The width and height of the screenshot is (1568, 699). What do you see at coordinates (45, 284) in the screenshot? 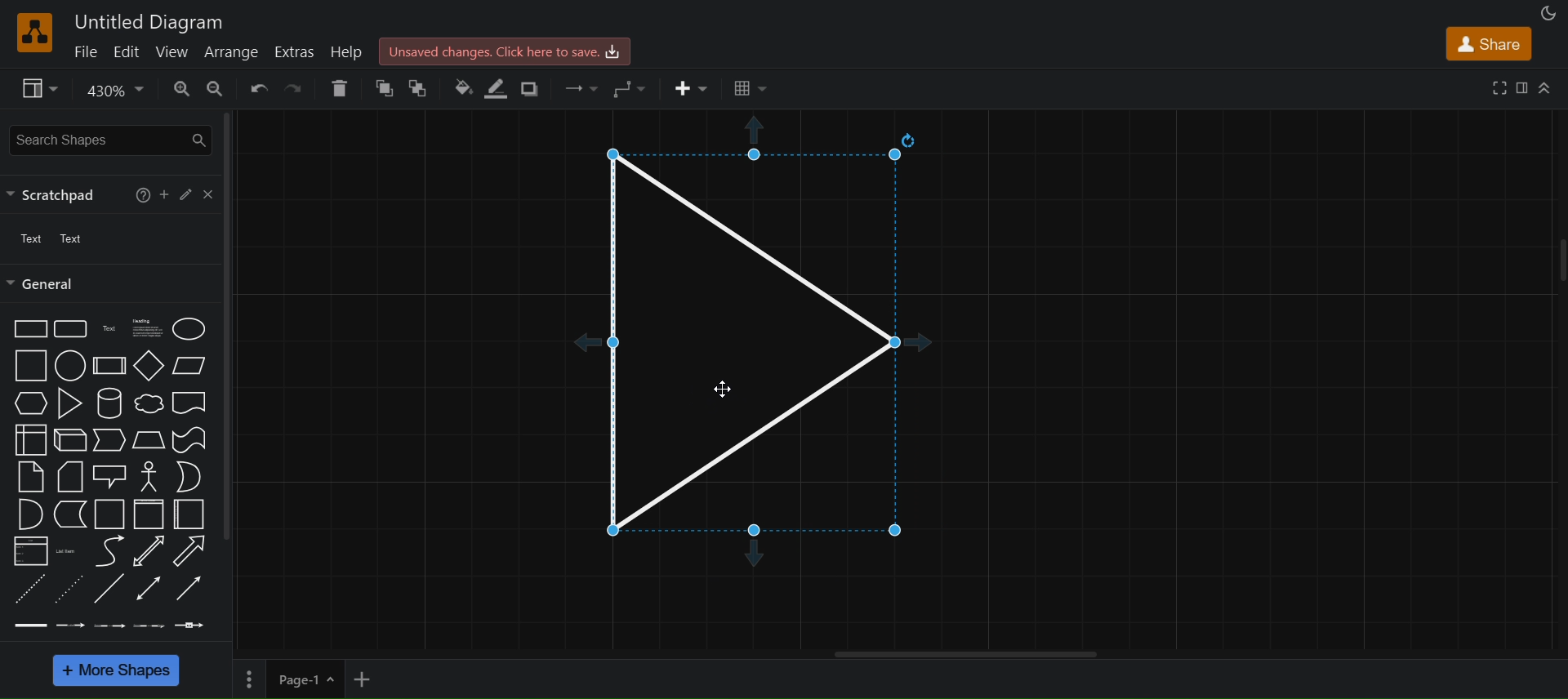
I see `general` at bounding box center [45, 284].